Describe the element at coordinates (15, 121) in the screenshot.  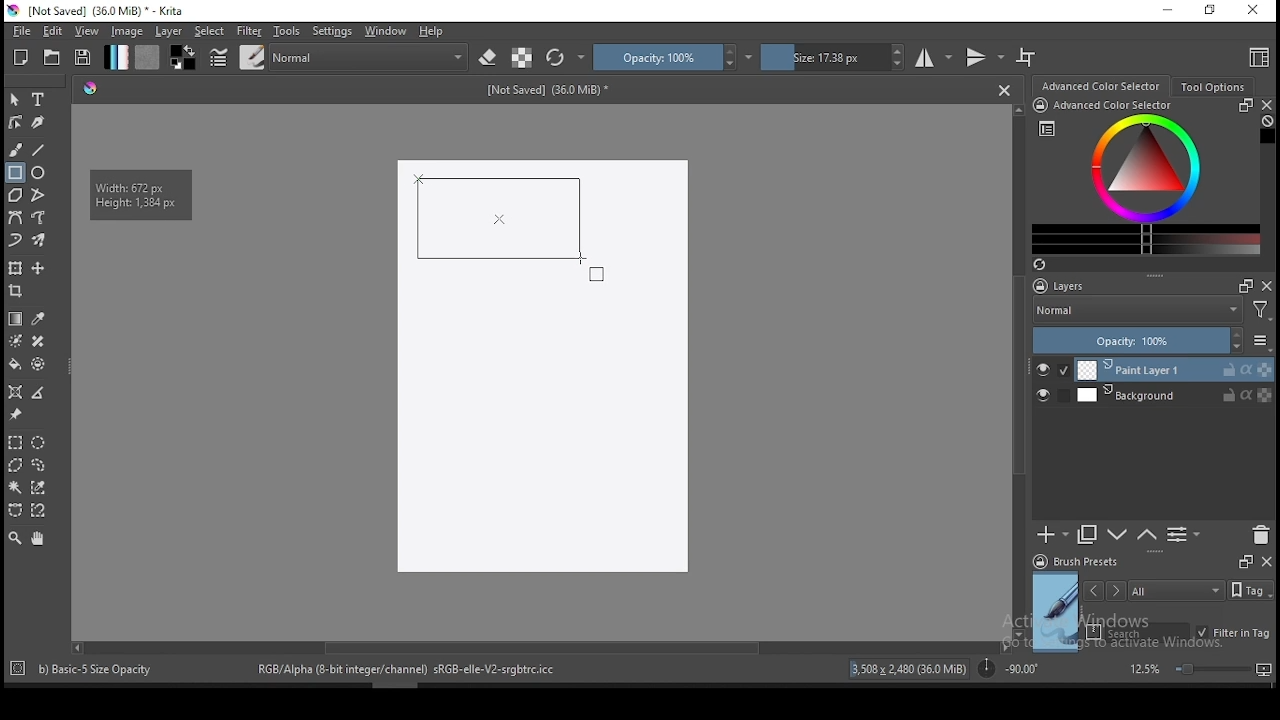
I see `edit shapes tool` at that location.